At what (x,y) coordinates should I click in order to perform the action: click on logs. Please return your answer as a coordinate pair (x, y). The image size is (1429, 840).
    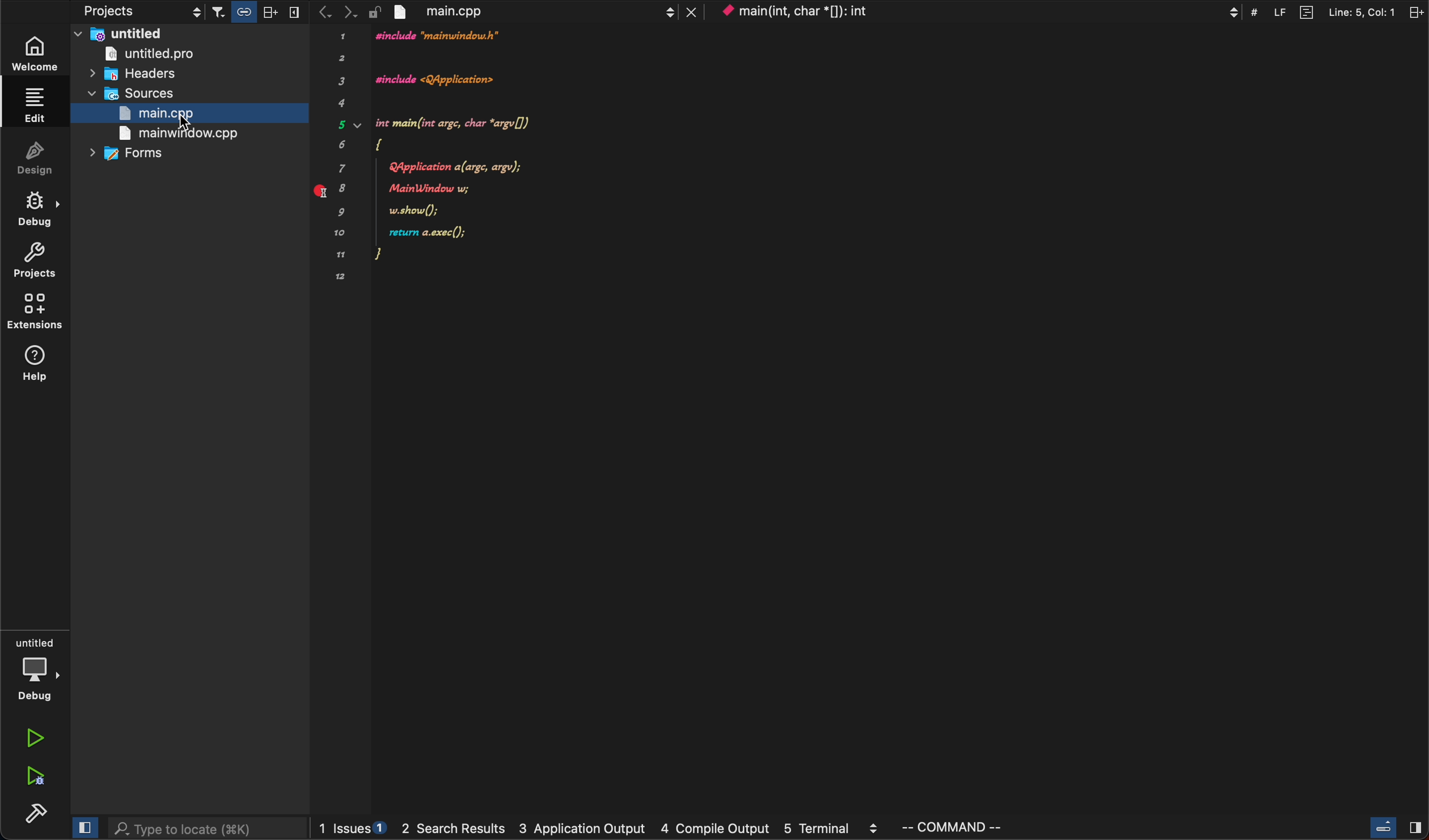
    Looking at the image, I should click on (602, 828).